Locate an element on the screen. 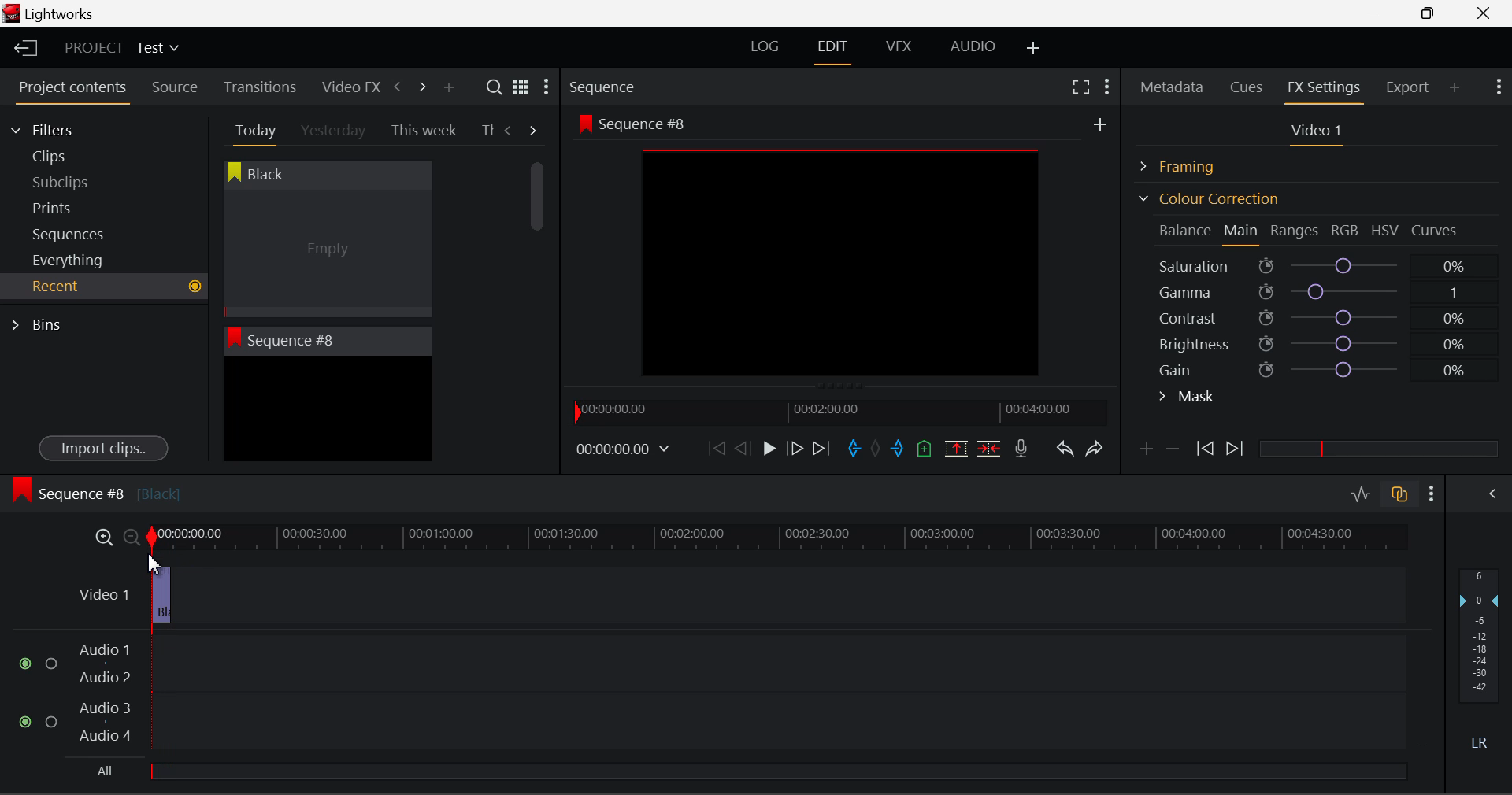 The height and width of the screenshot is (795, 1512). Clip 2 Deleted is located at coordinates (728, 596).